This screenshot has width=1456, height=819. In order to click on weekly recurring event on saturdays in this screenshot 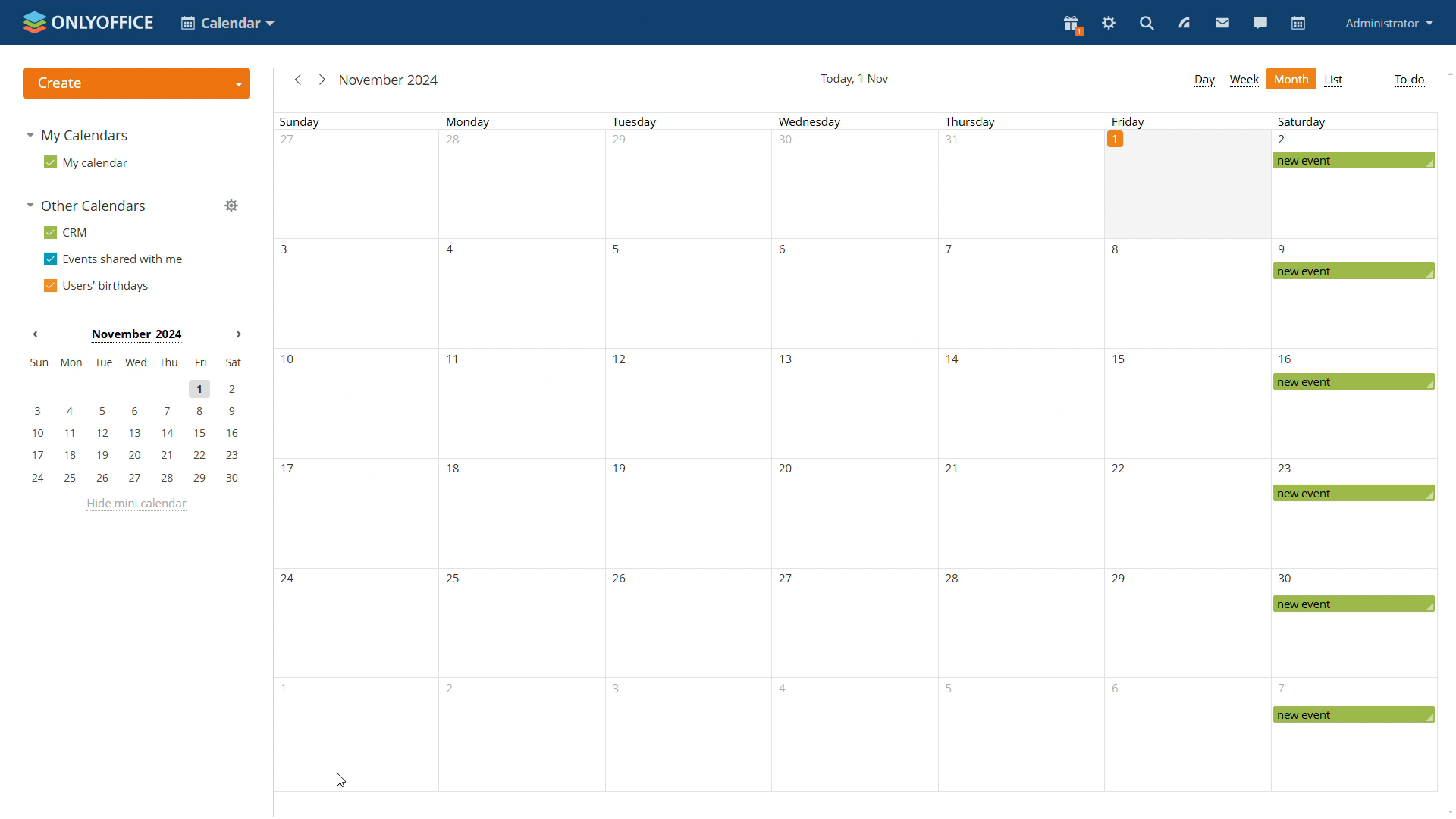, I will do `click(1354, 453)`.